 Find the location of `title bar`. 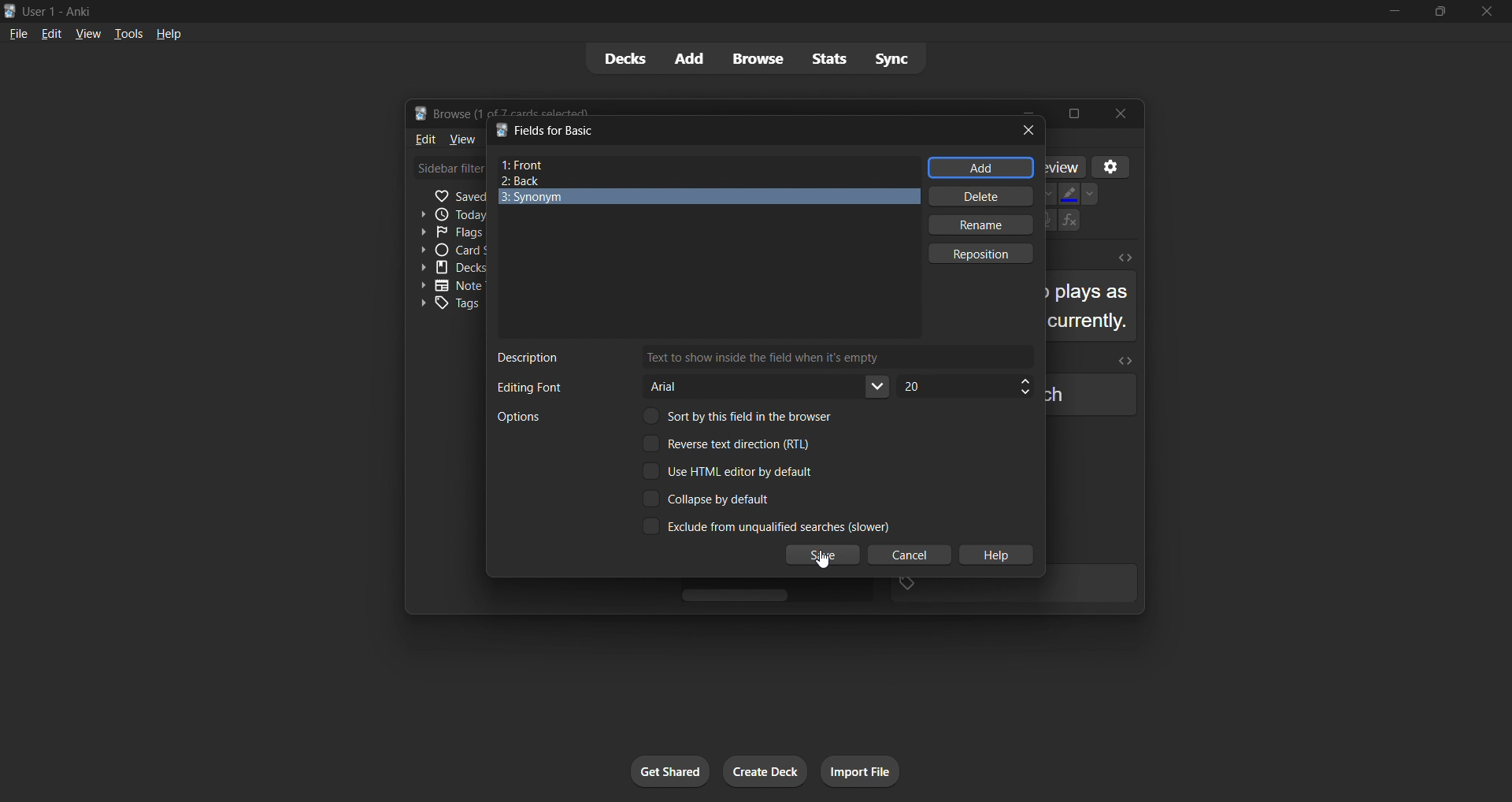

title bar is located at coordinates (743, 129).